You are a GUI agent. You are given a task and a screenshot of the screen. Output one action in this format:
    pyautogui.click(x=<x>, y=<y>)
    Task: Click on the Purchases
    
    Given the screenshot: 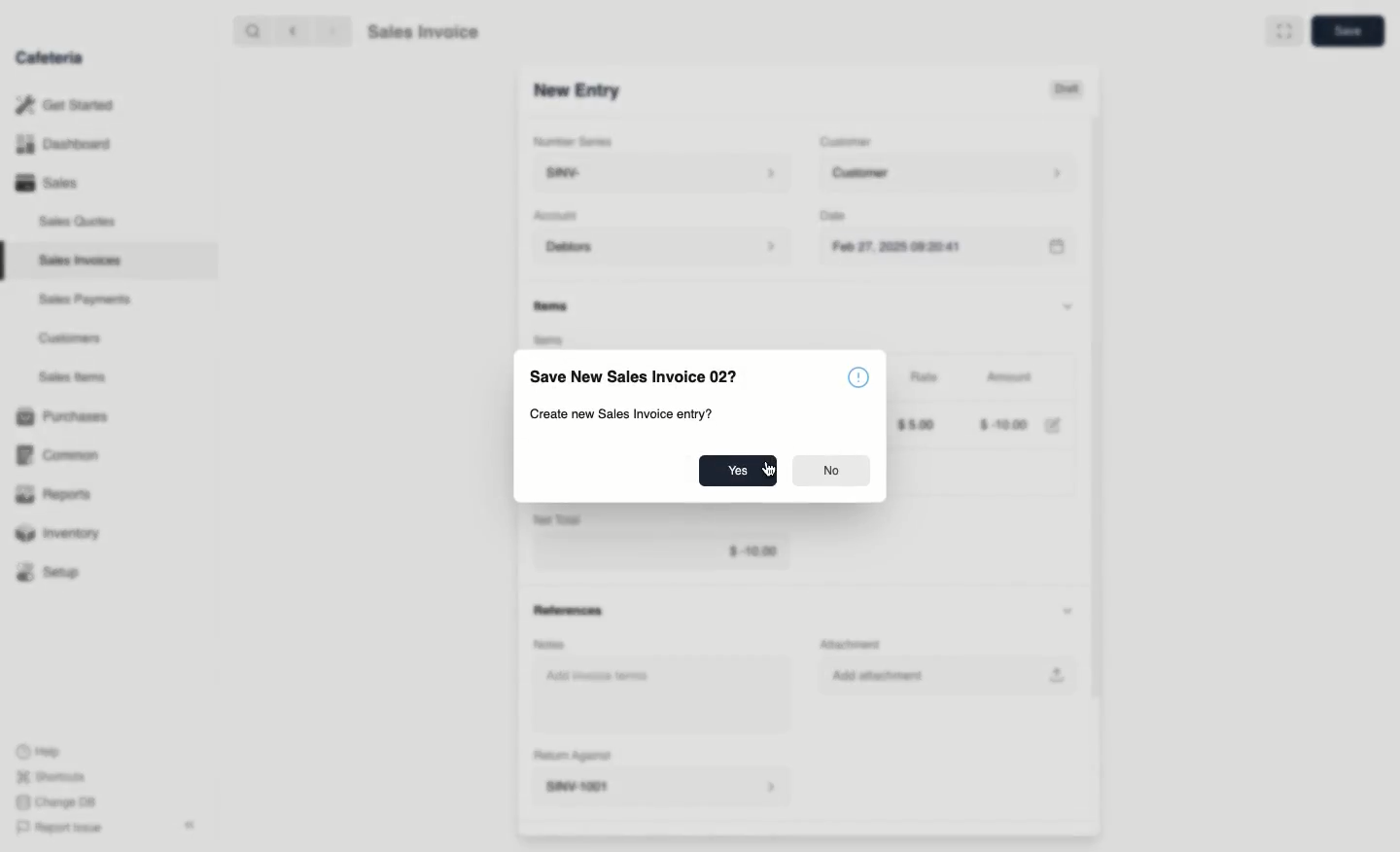 What is the action you would take?
    pyautogui.click(x=67, y=416)
    